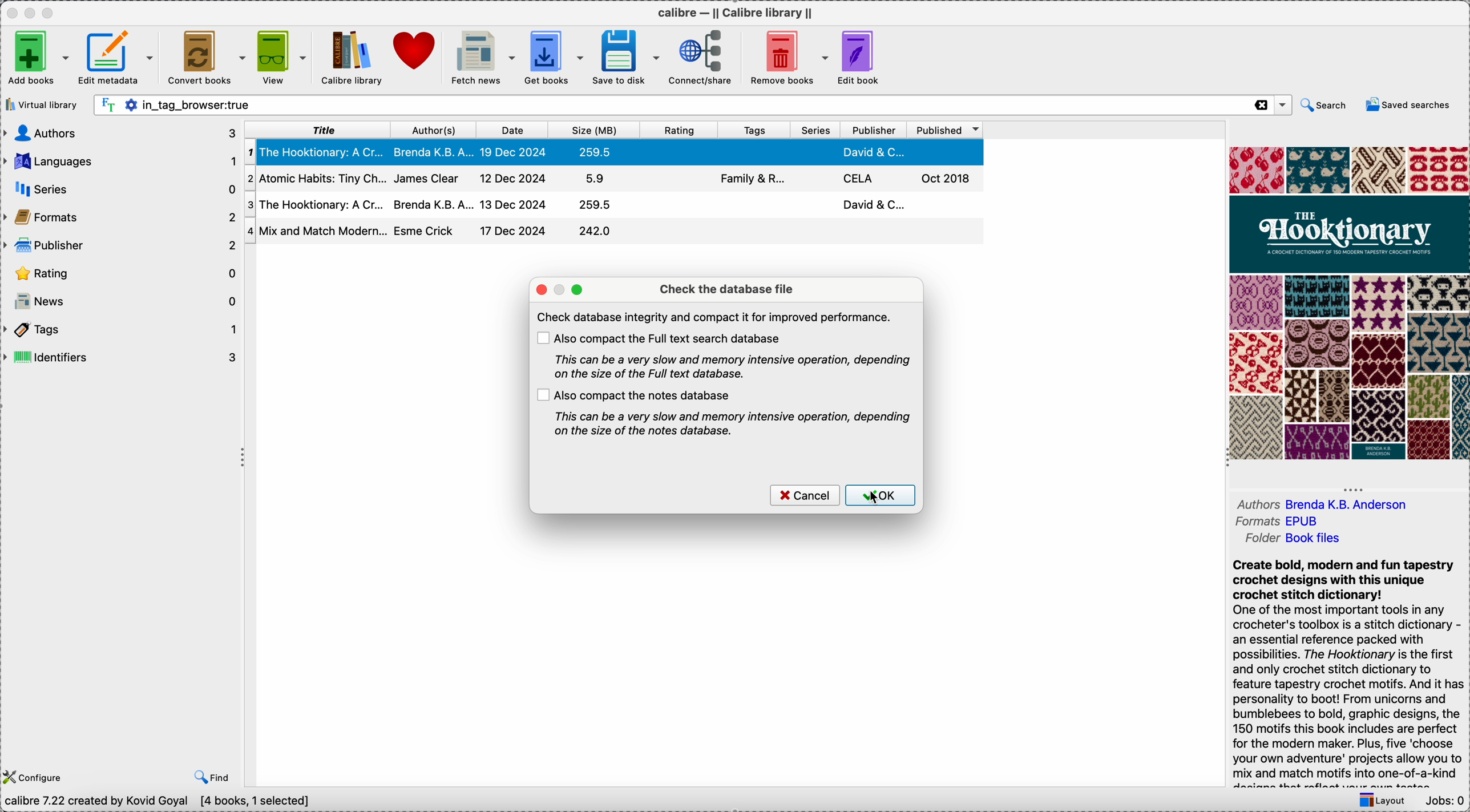 The image size is (1470, 812). I want to click on click on Calibre library, so click(350, 58).